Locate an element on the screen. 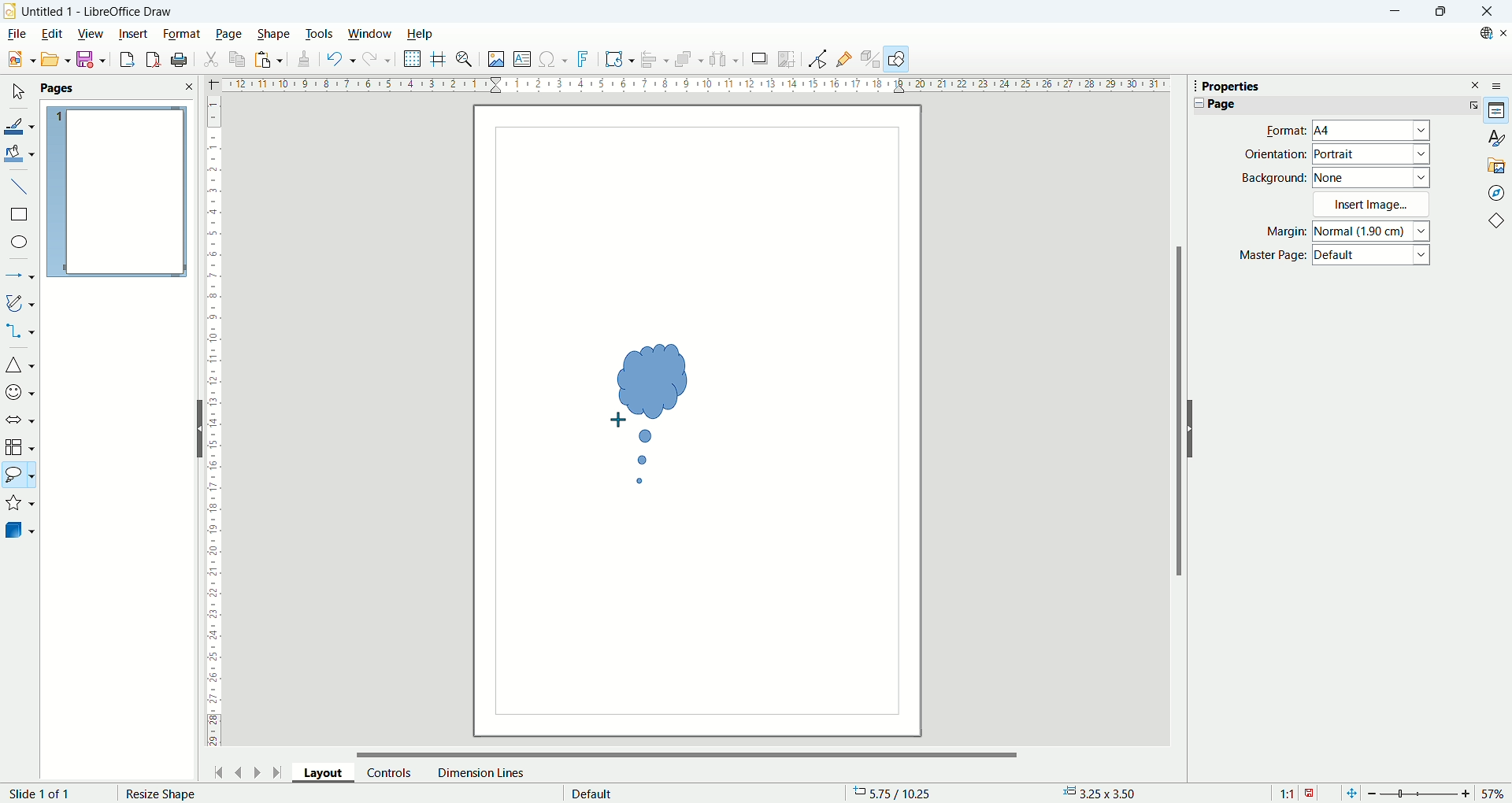  Tooltip drag is located at coordinates (1188, 85).